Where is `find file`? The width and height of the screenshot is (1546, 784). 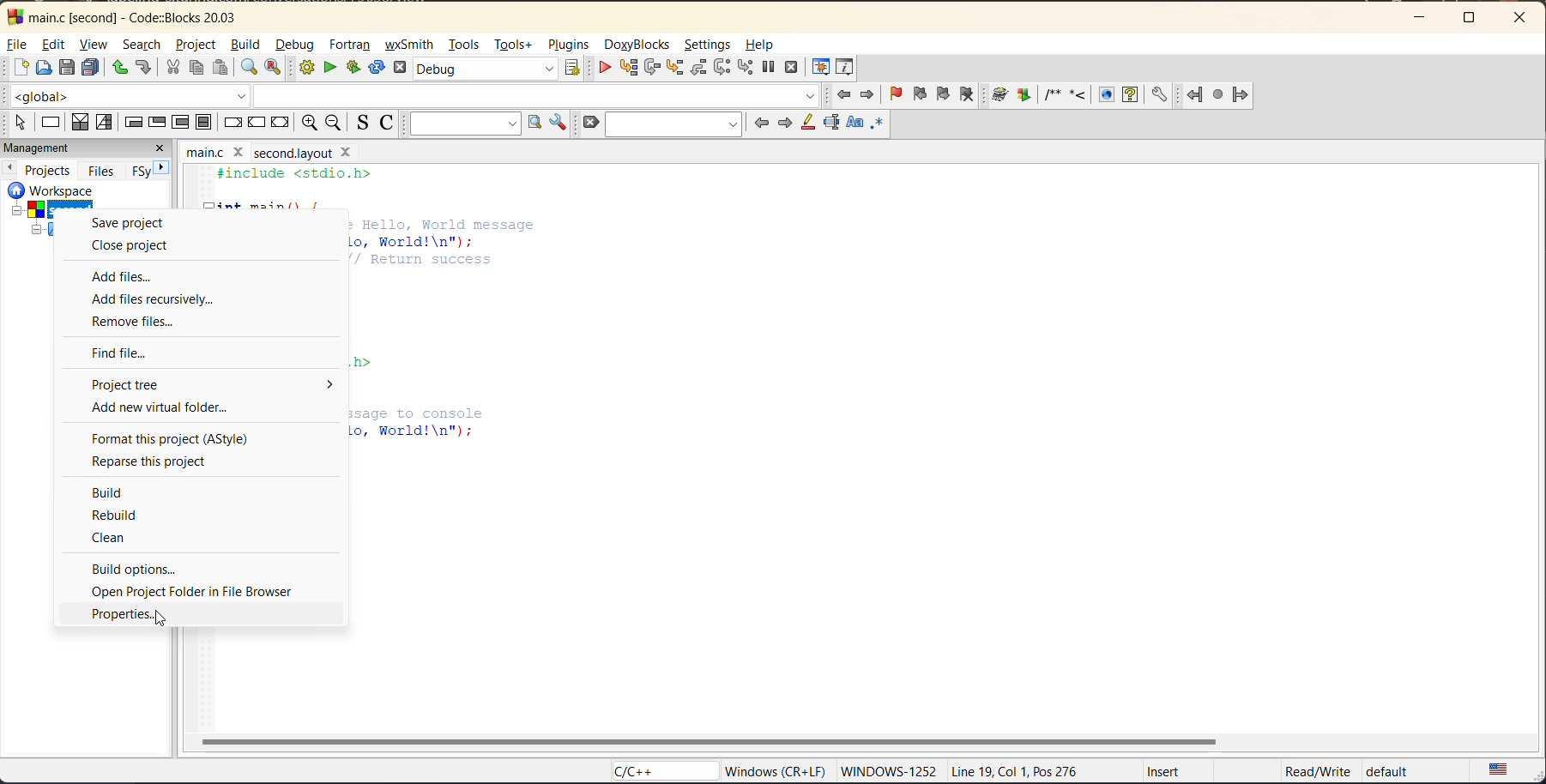 find file is located at coordinates (129, 352).